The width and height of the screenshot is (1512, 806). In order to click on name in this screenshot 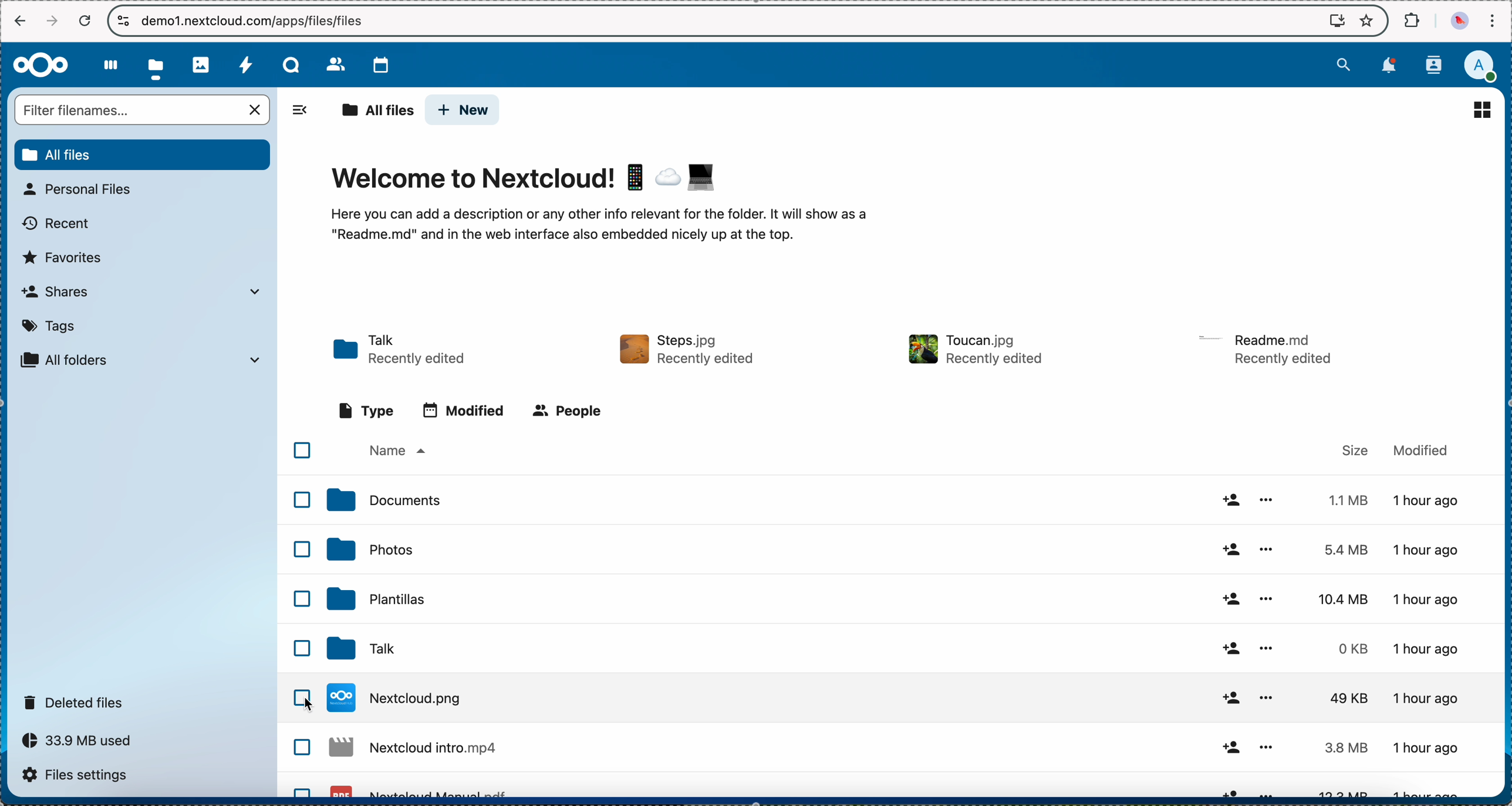, I will do `click(404, 450)`.